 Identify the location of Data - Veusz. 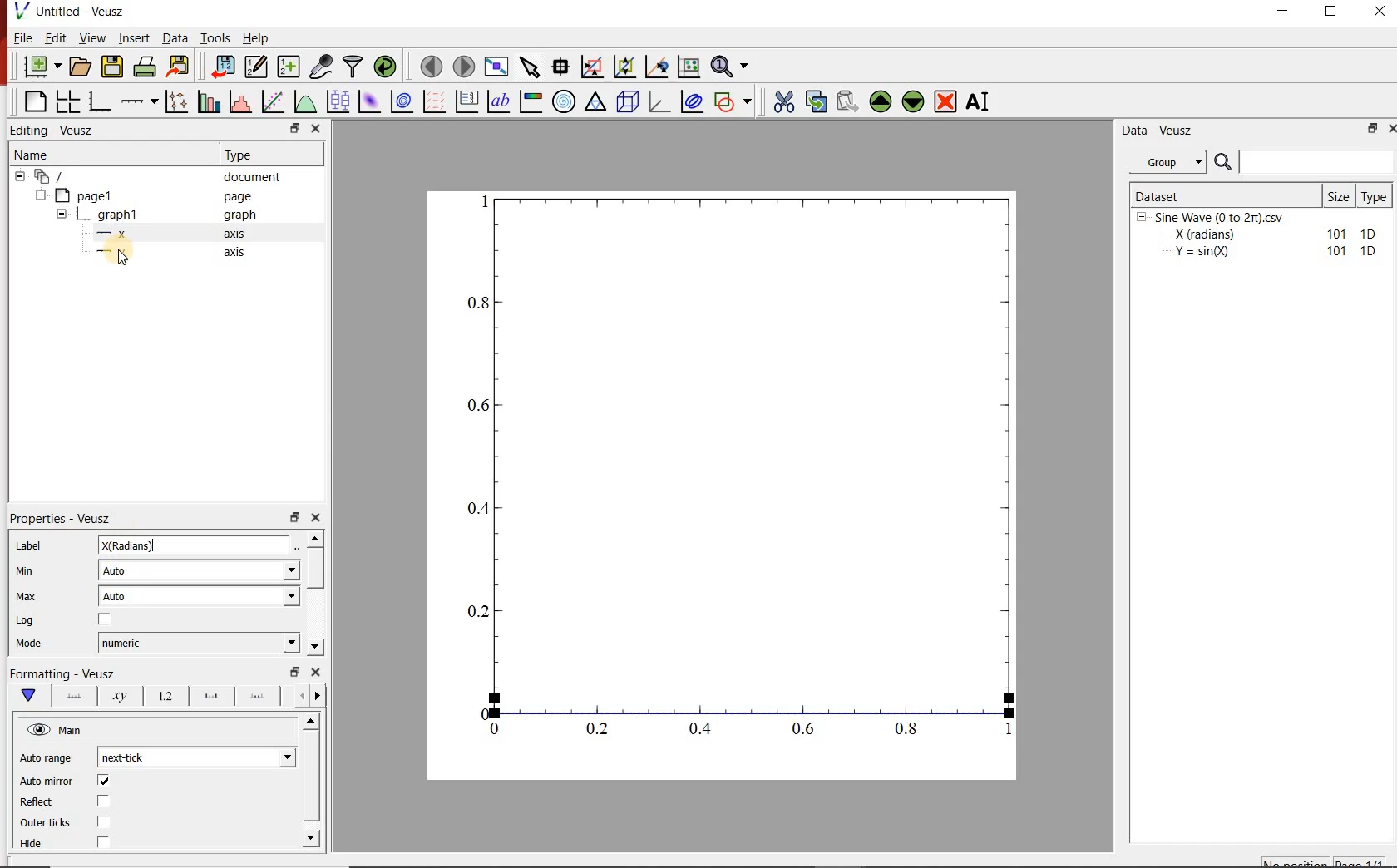
(1160, 131).